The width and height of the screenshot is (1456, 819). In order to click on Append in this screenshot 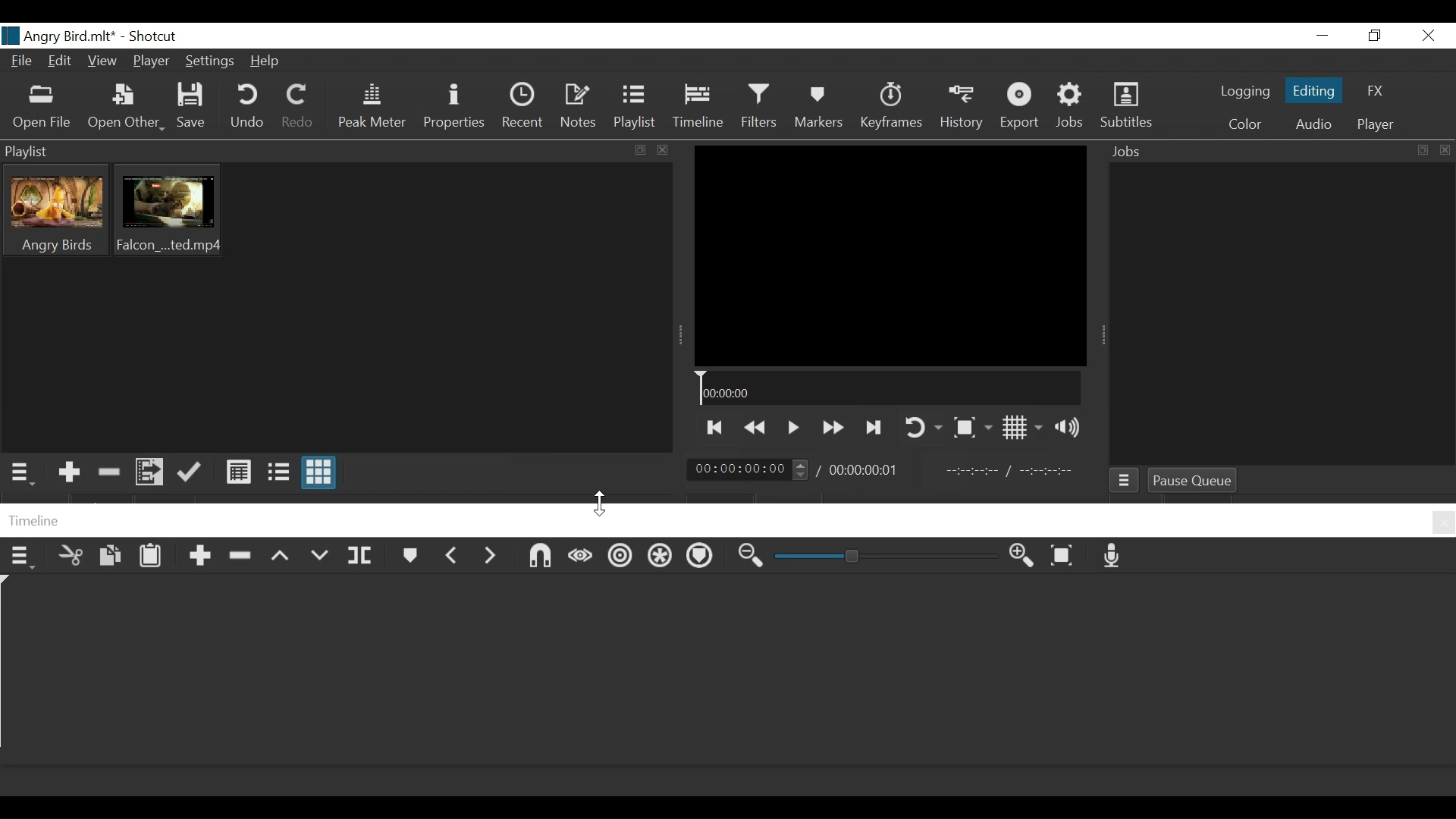, I will do `click(201, 558)`.